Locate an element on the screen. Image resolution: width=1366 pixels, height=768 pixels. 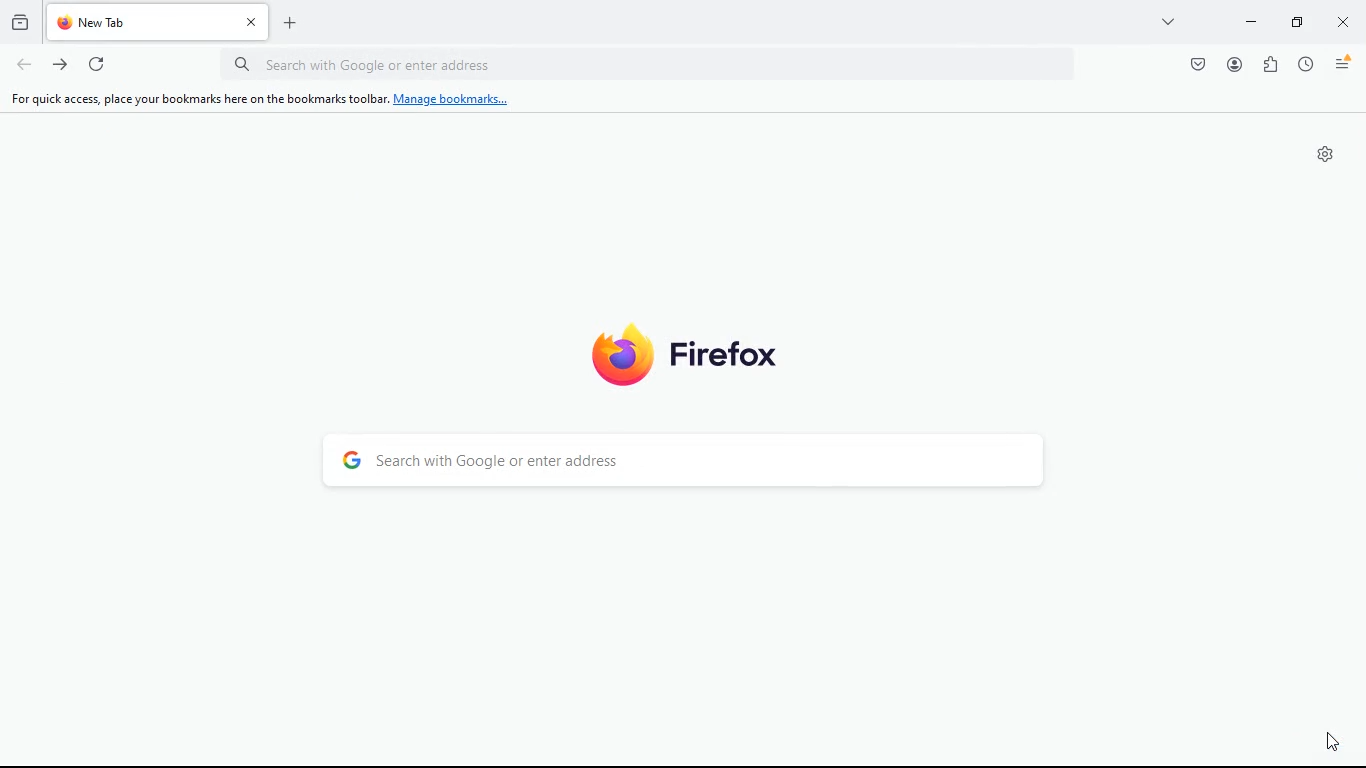
forward is located at coordinates (62, 67).